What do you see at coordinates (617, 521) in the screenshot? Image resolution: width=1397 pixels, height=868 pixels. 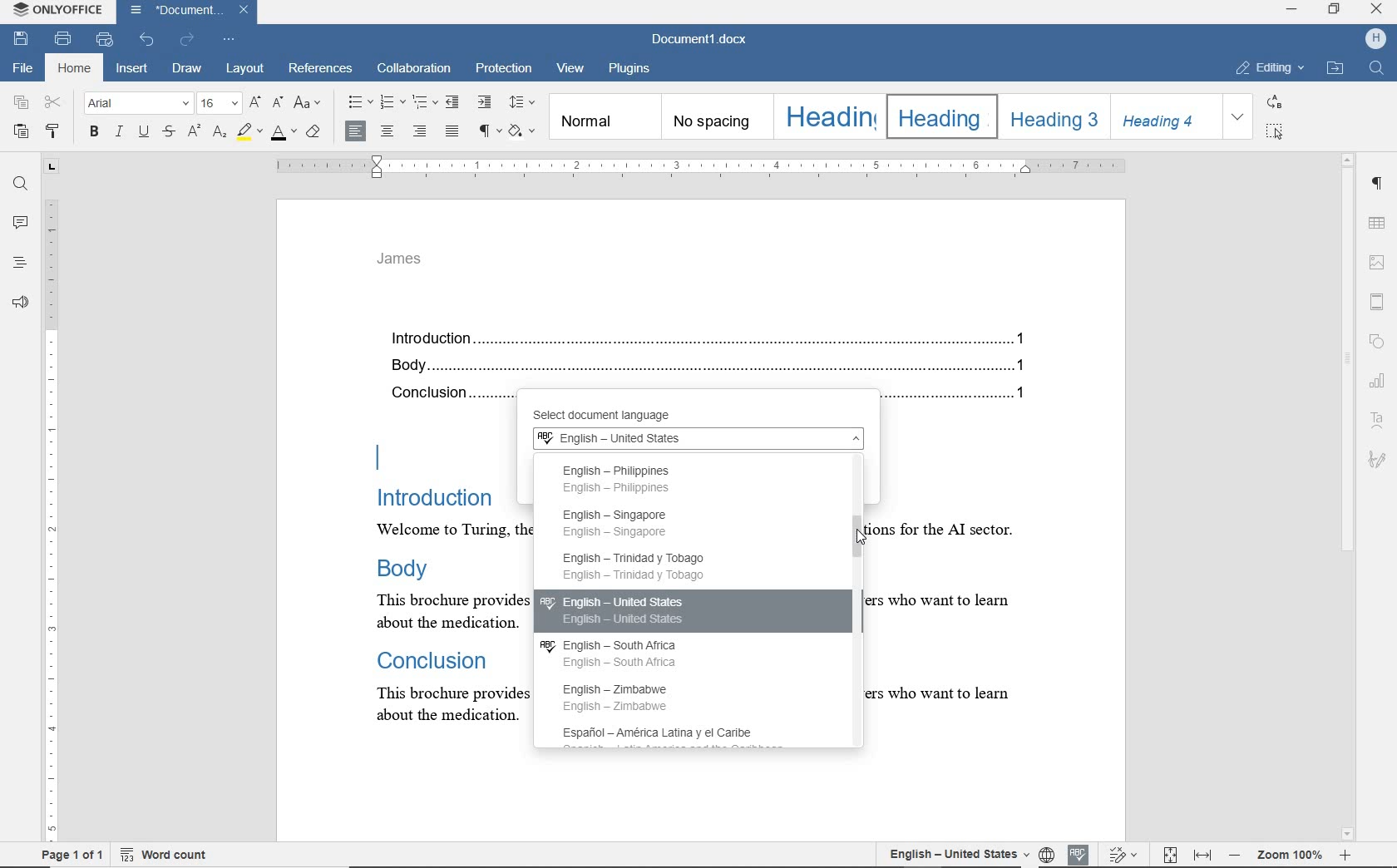 I see `English - Singapore` at bounding box center [617, 521].